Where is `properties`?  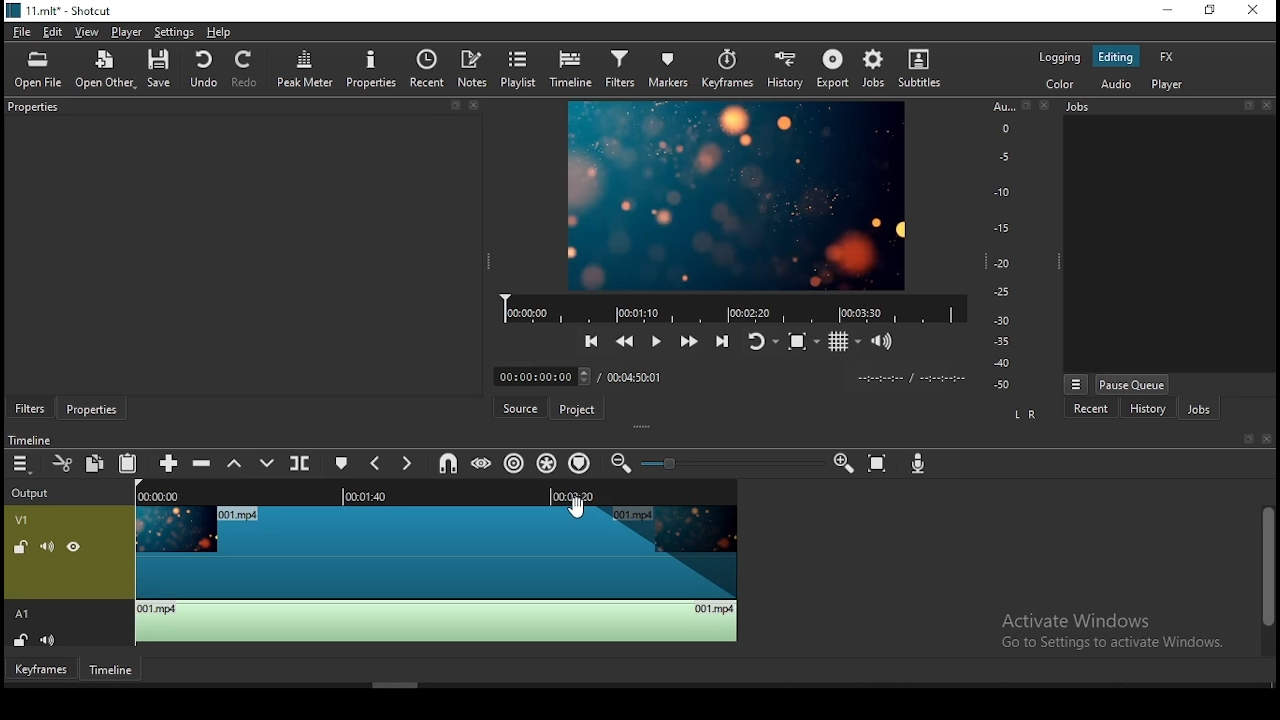
properties is located at coordinates (92, 408).